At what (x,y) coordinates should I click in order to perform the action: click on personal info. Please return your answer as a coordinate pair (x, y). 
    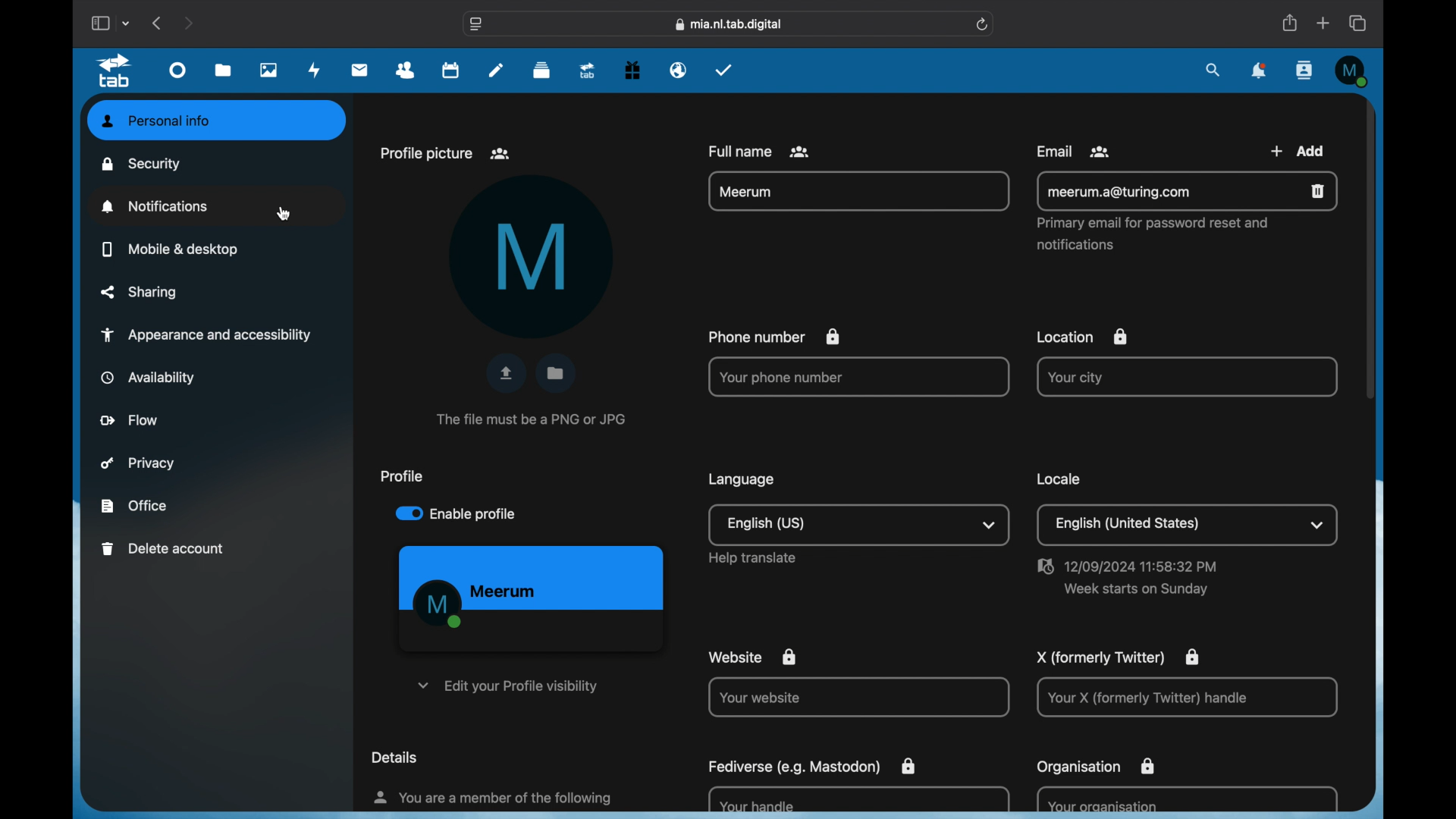
    Looking at the image, I should click on (156, 120).